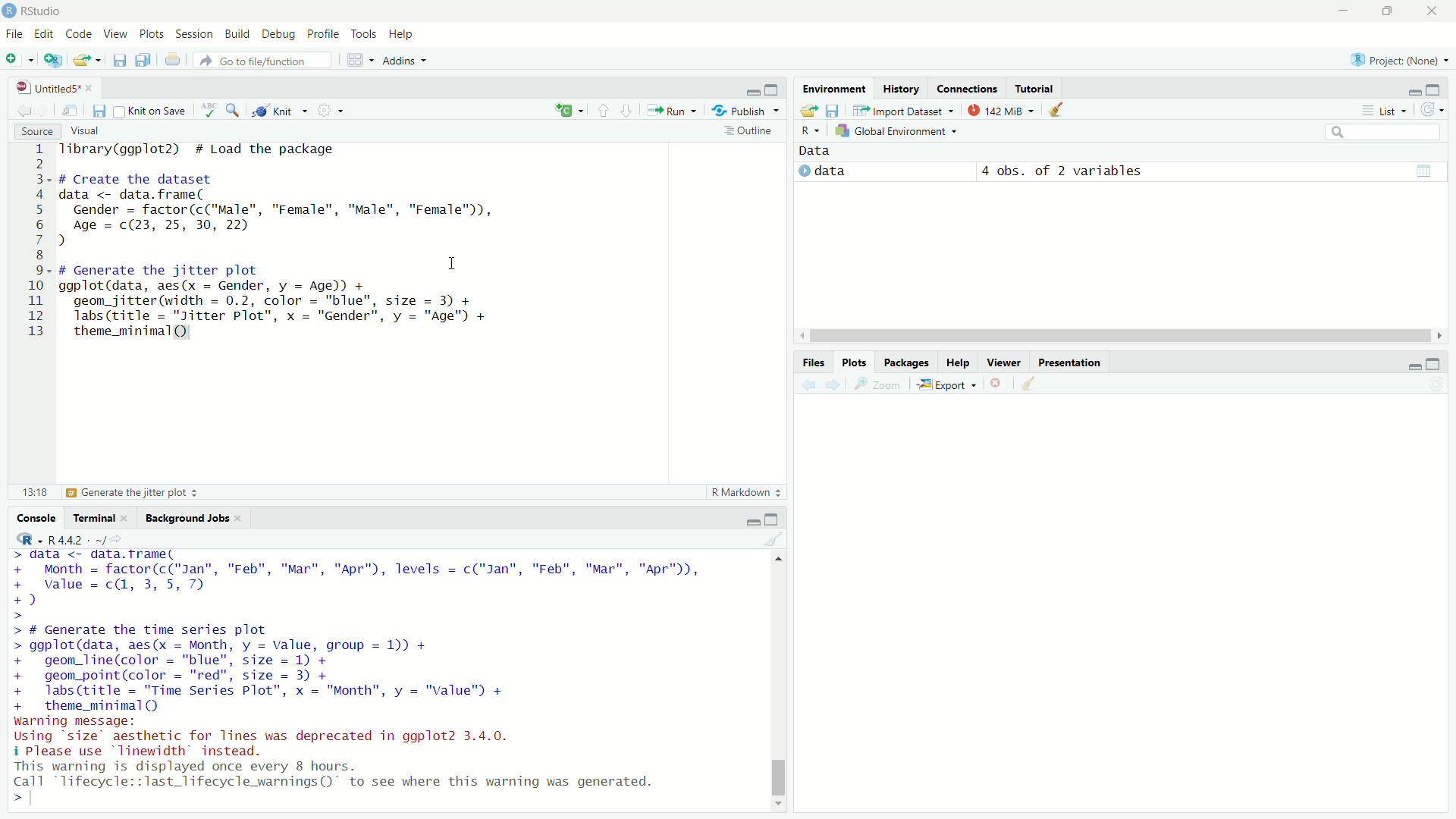 This screenshot has height=819, width=1456. What do you see at coordinates (256, 60) in the screenshot?
I see `go to file/function` at bounding box center [256, 60].